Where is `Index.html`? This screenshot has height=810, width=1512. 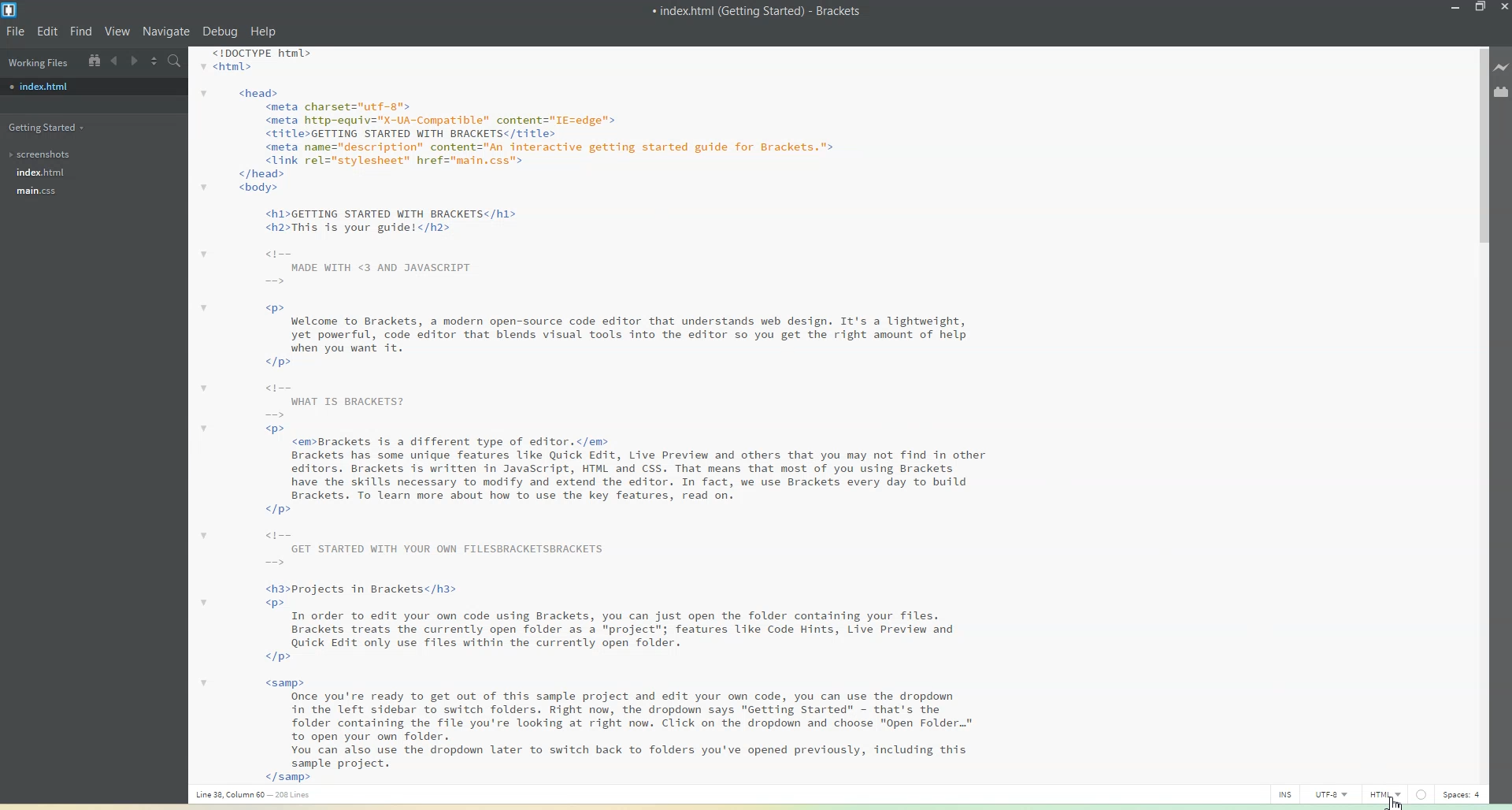
Index.html is located at coordinates (40, 173).